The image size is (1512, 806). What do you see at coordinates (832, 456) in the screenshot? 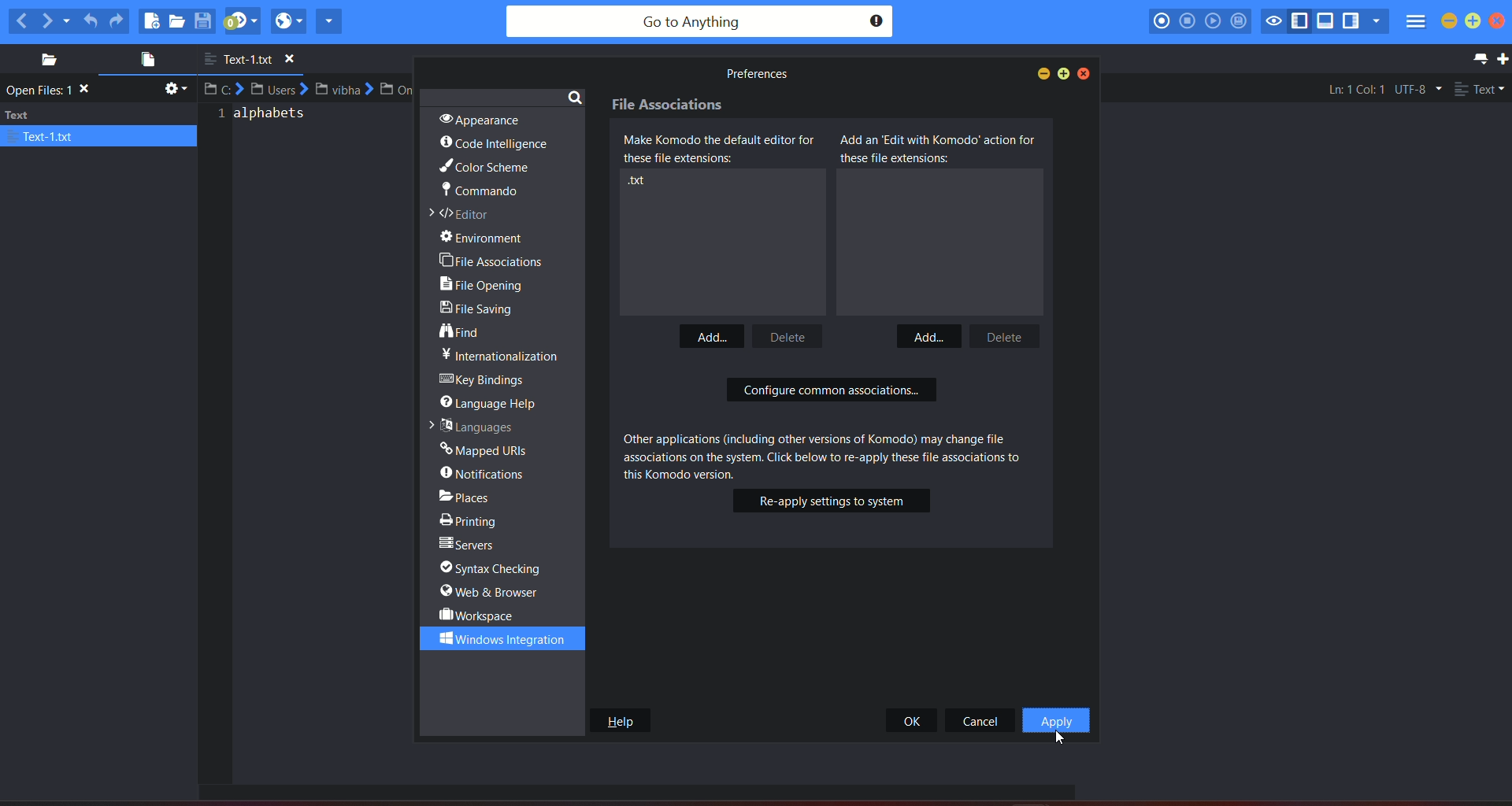
I see `Other applications (including other versions of Komodo) may change file
associations on the system. Click below to re-apply these file associations to
this Komodo version.` at bounding box center [832, 456].